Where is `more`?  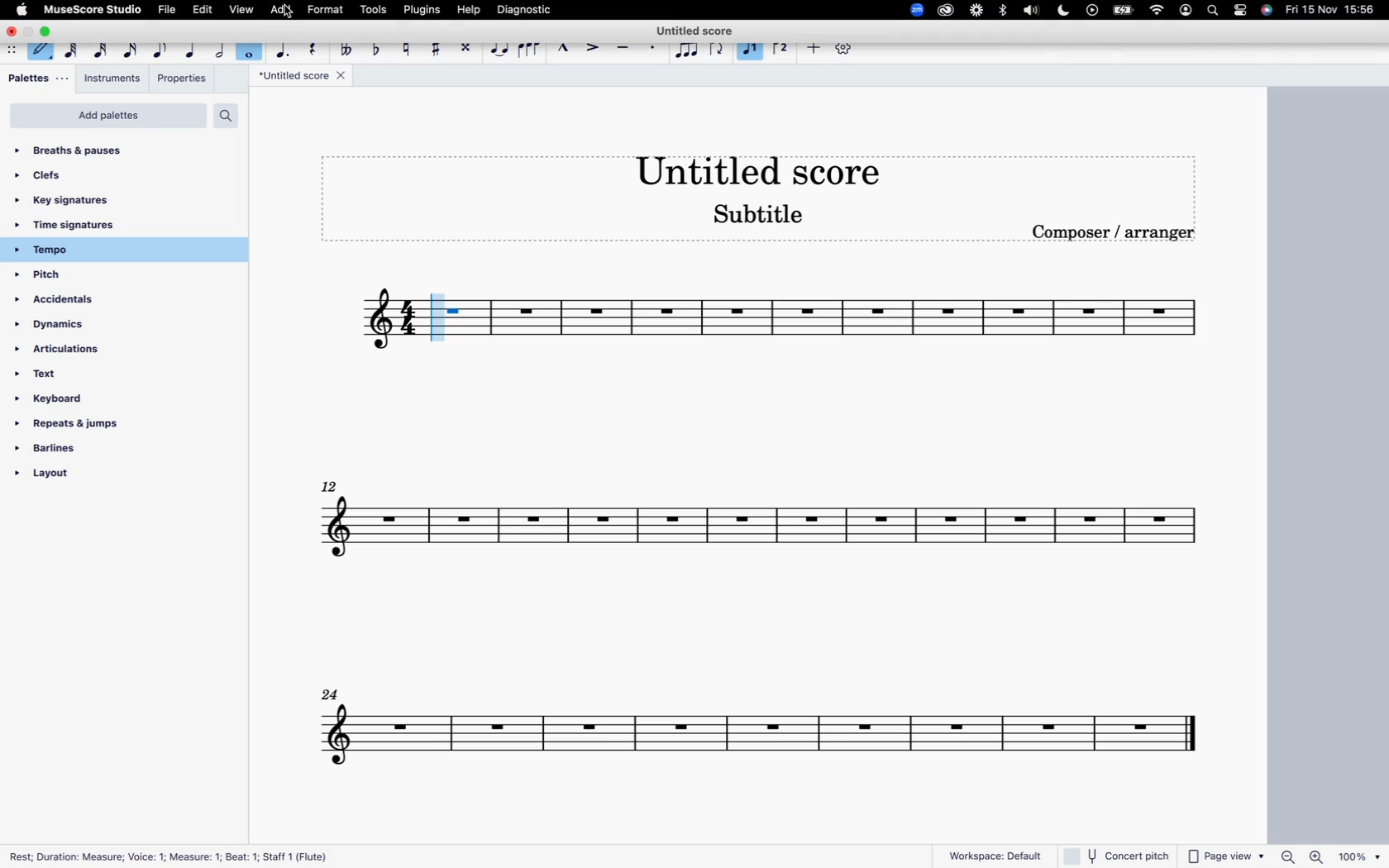 more is located at coordinates (812, 48).